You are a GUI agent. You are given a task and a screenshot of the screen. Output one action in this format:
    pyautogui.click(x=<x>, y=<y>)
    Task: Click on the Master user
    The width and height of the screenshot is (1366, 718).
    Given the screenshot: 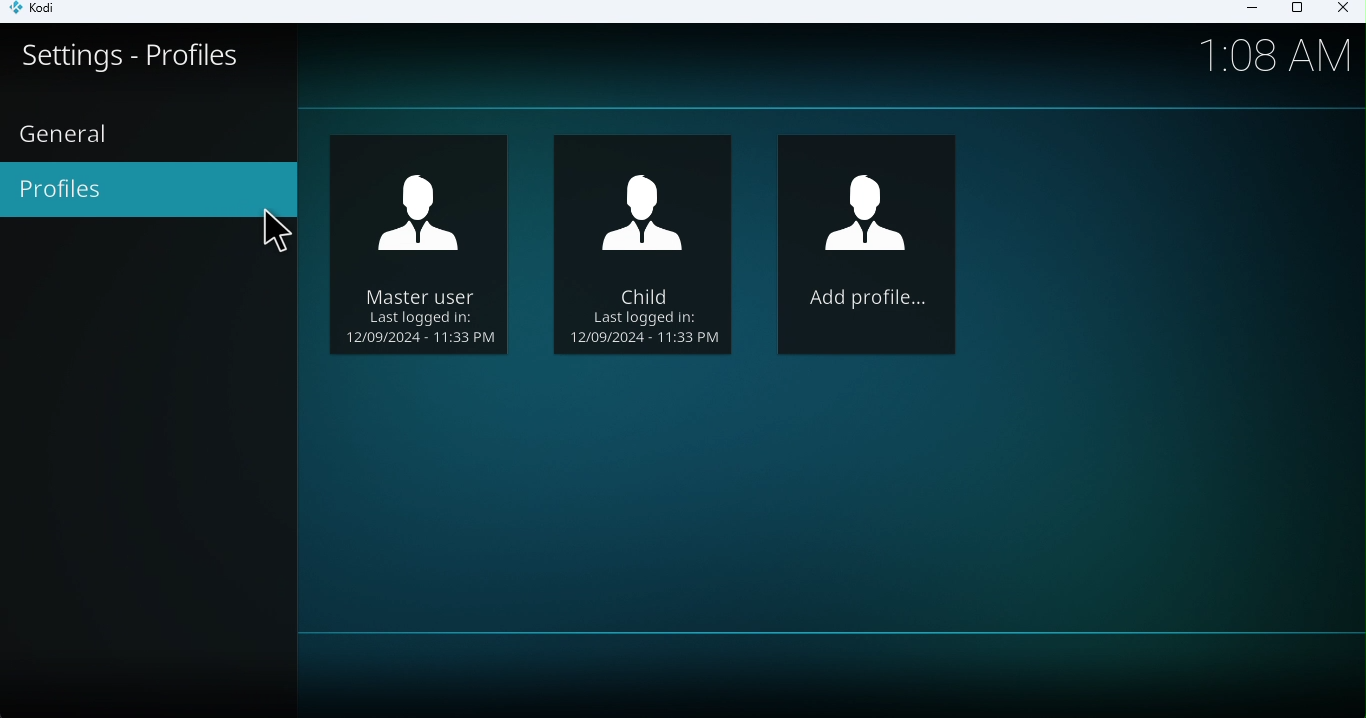 What is the action you would take?
    pyautogui.click(x=426, y=243)
    